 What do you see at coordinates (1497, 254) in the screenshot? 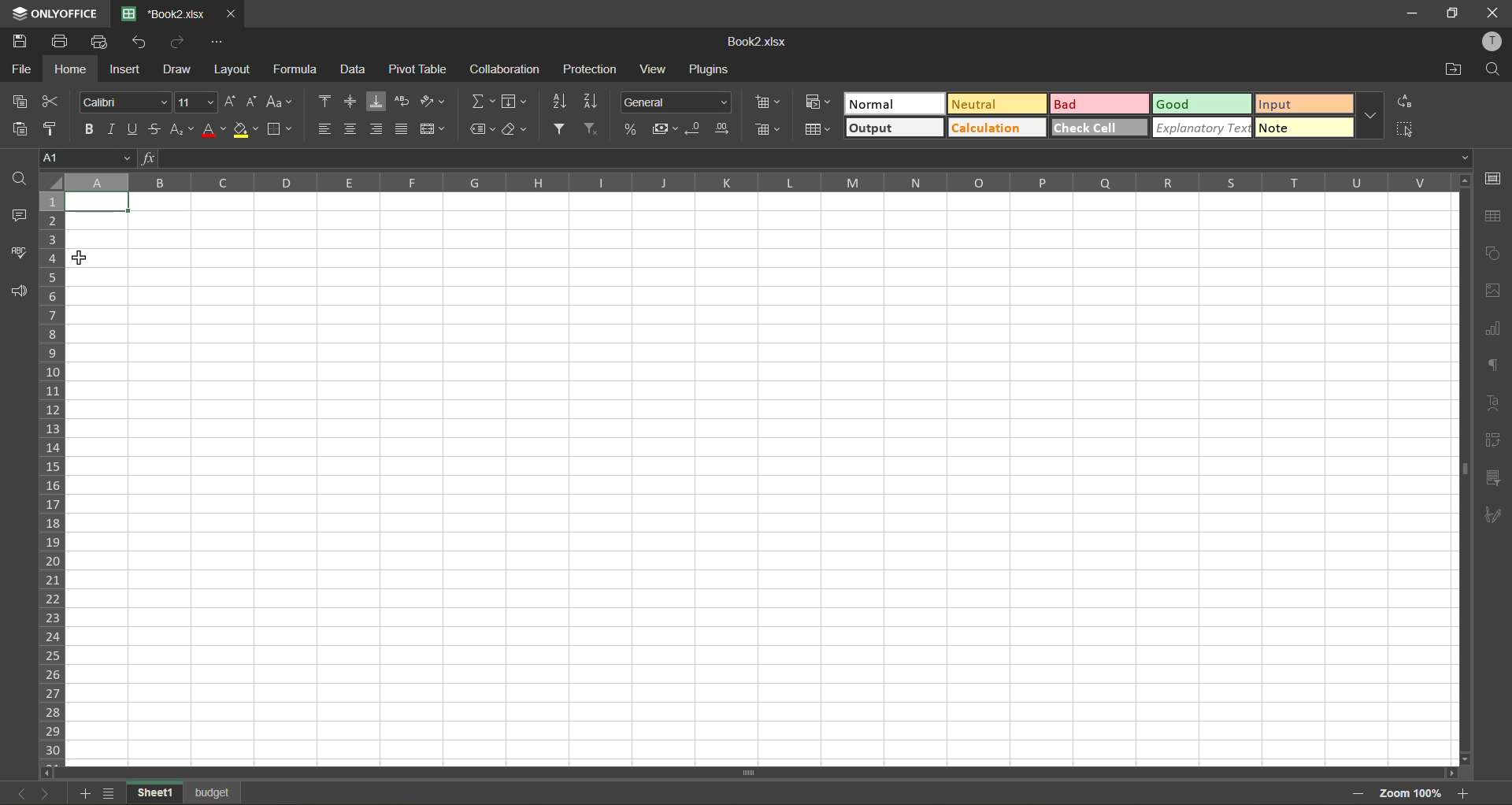
I see `shapes` at bounding box center [1497, 254].